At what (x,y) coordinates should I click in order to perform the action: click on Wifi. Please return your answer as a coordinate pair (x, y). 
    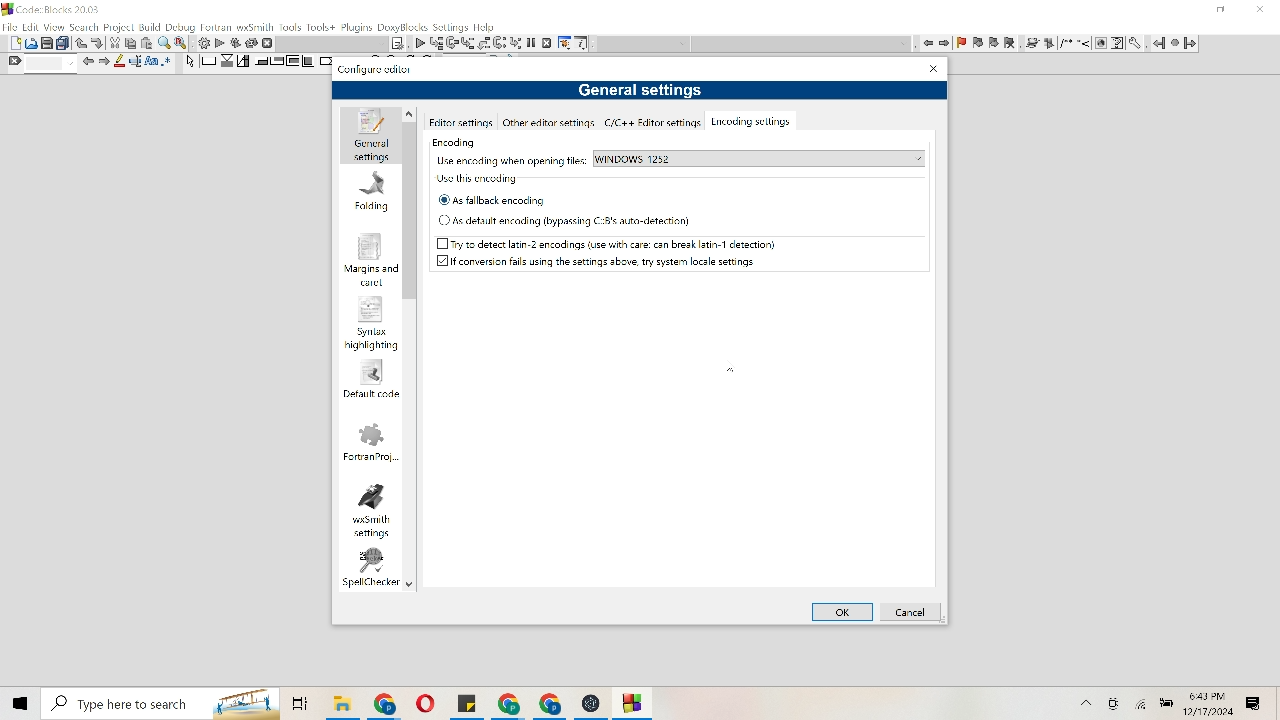
    Looking at the image, I should click on (1143, 703).